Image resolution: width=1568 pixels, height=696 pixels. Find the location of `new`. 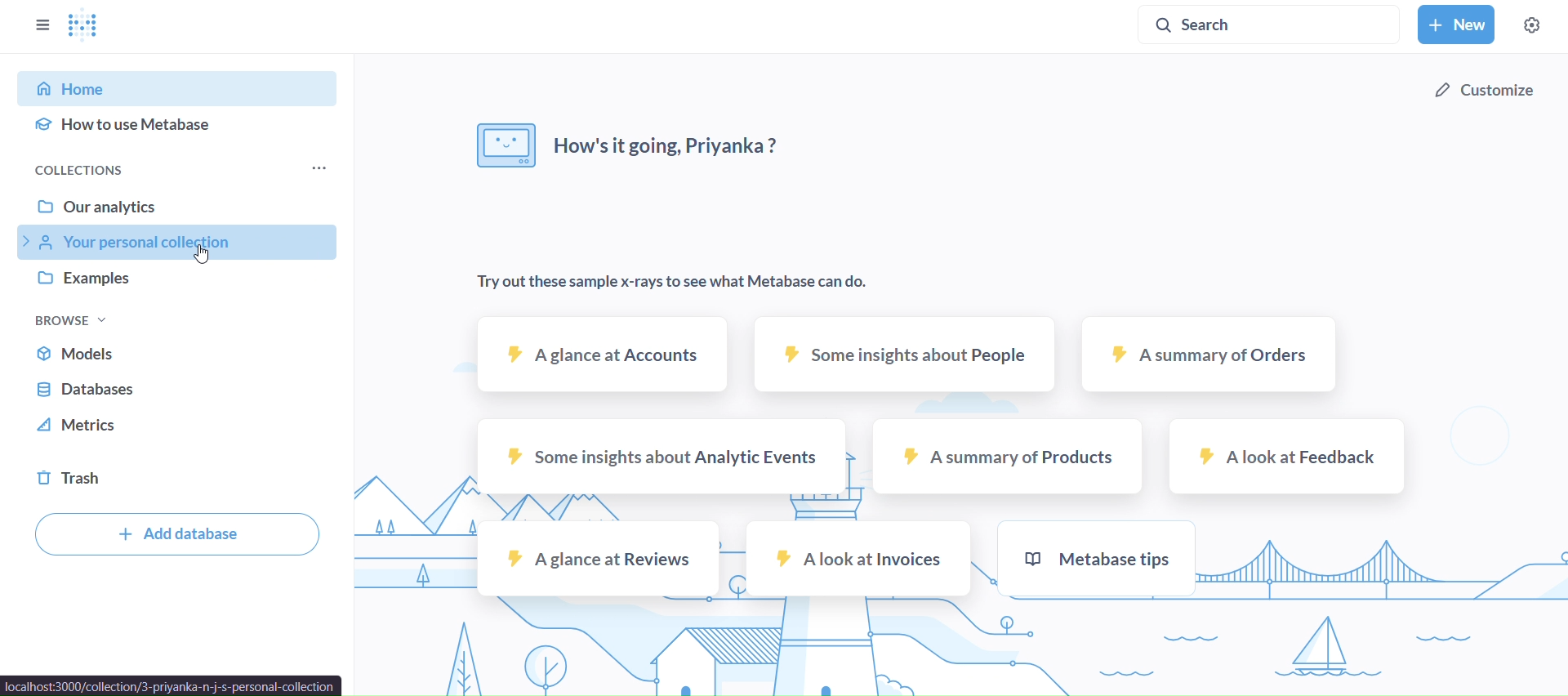

new is located at coordinates (1456, 24).